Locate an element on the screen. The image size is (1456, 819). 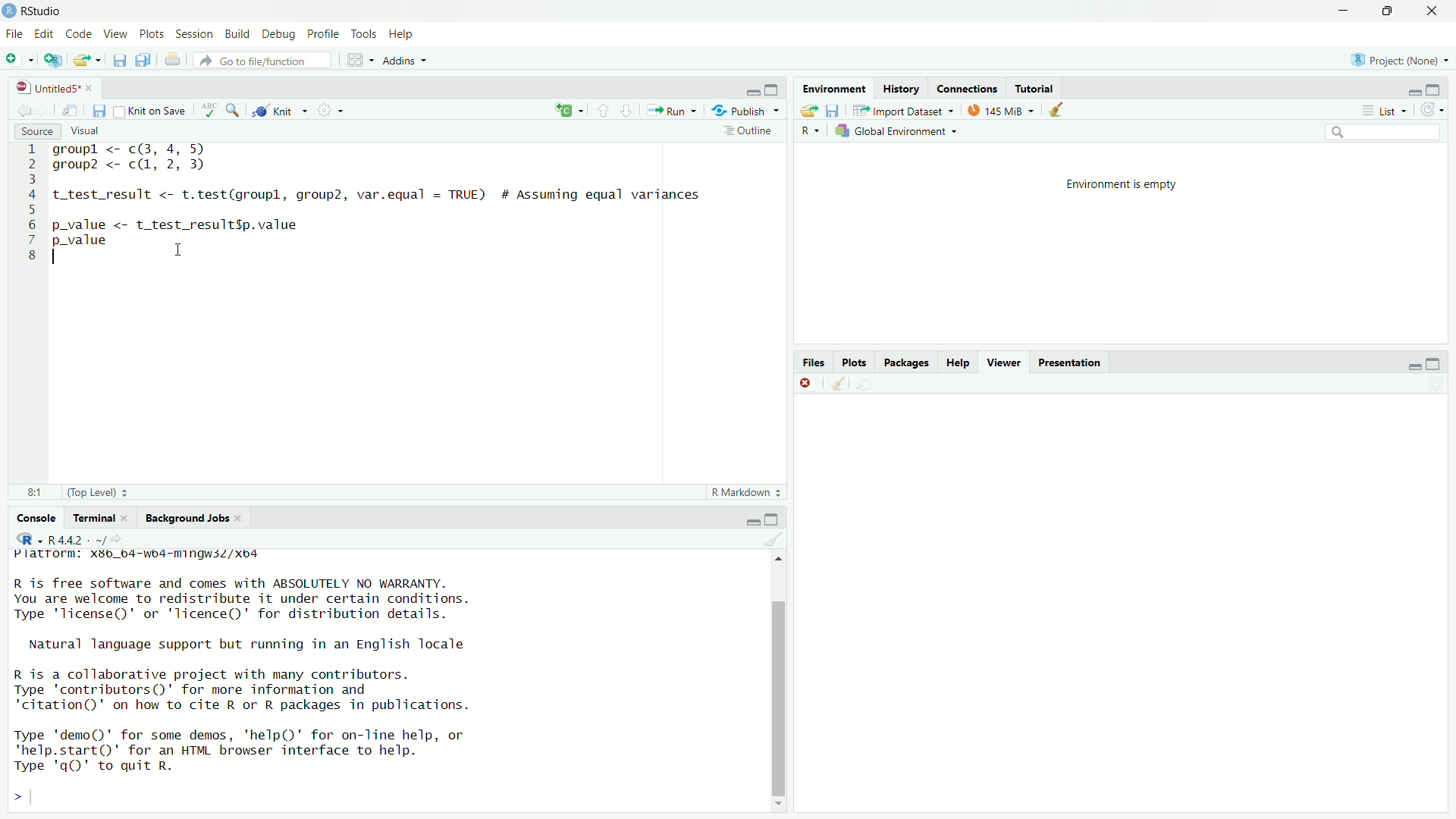
prompt cursor is located at coordinates (17, 795).